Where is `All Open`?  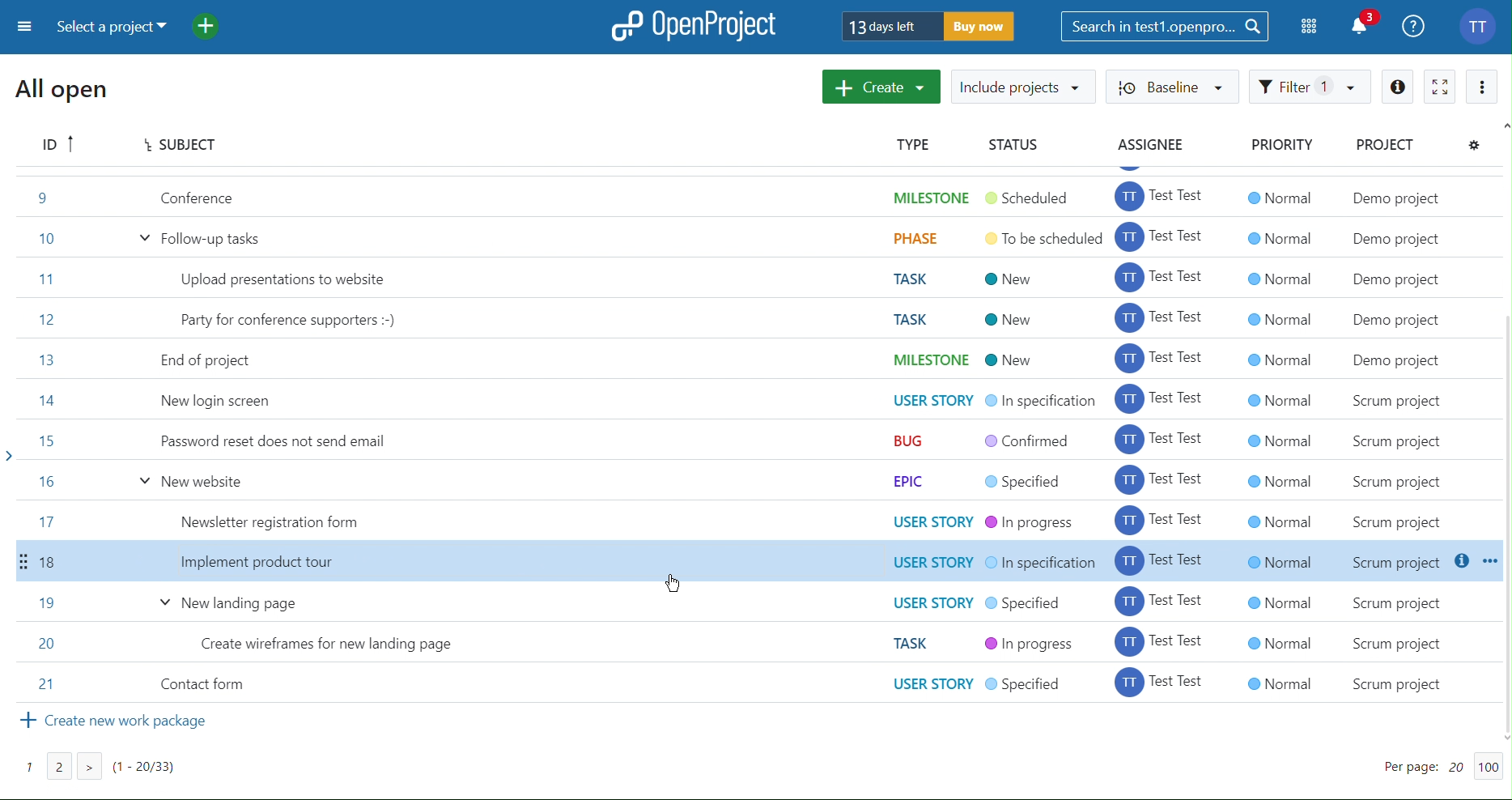
All Open is located at coordinates (66, 92).